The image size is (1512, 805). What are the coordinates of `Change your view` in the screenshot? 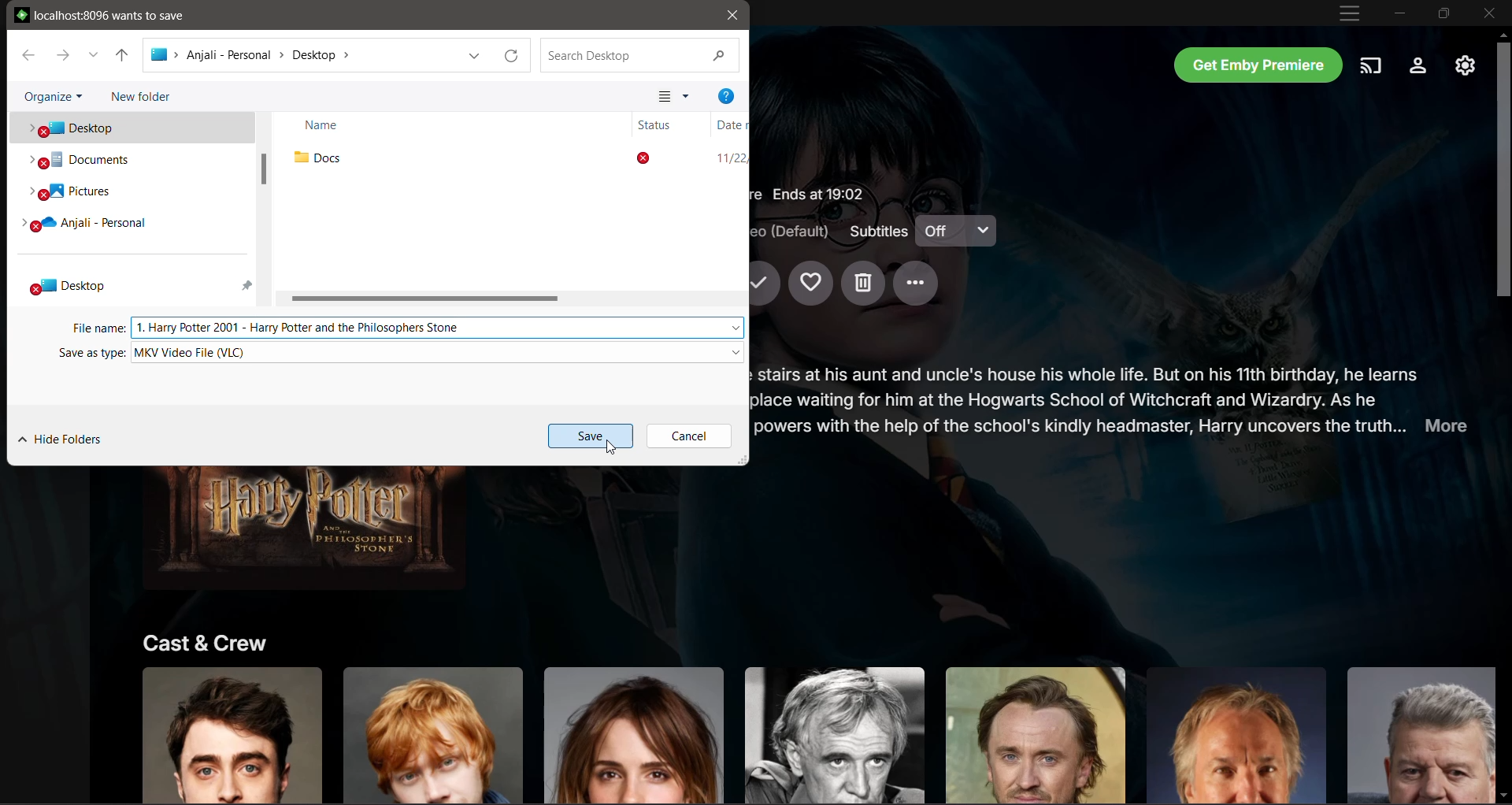 It's located at (670, 97).